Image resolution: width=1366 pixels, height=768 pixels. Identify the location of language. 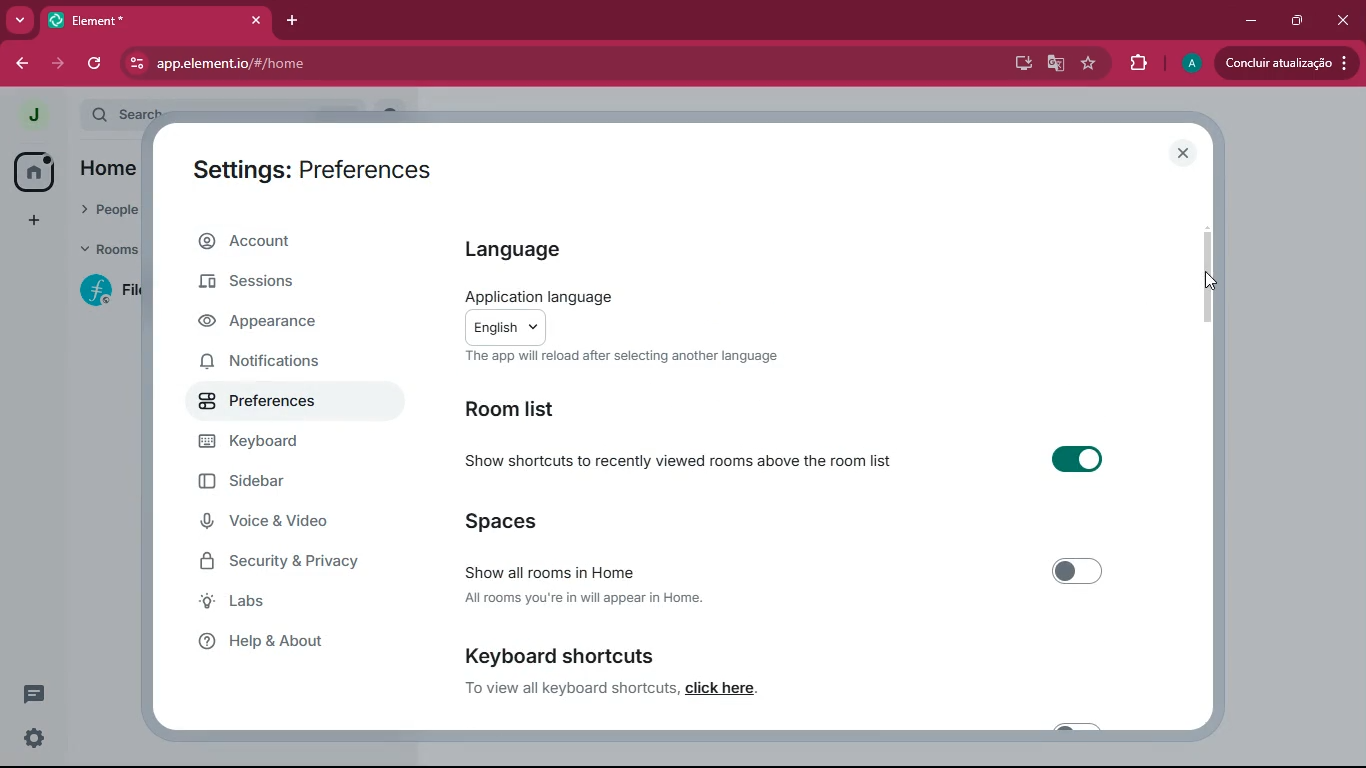
(535, 250).